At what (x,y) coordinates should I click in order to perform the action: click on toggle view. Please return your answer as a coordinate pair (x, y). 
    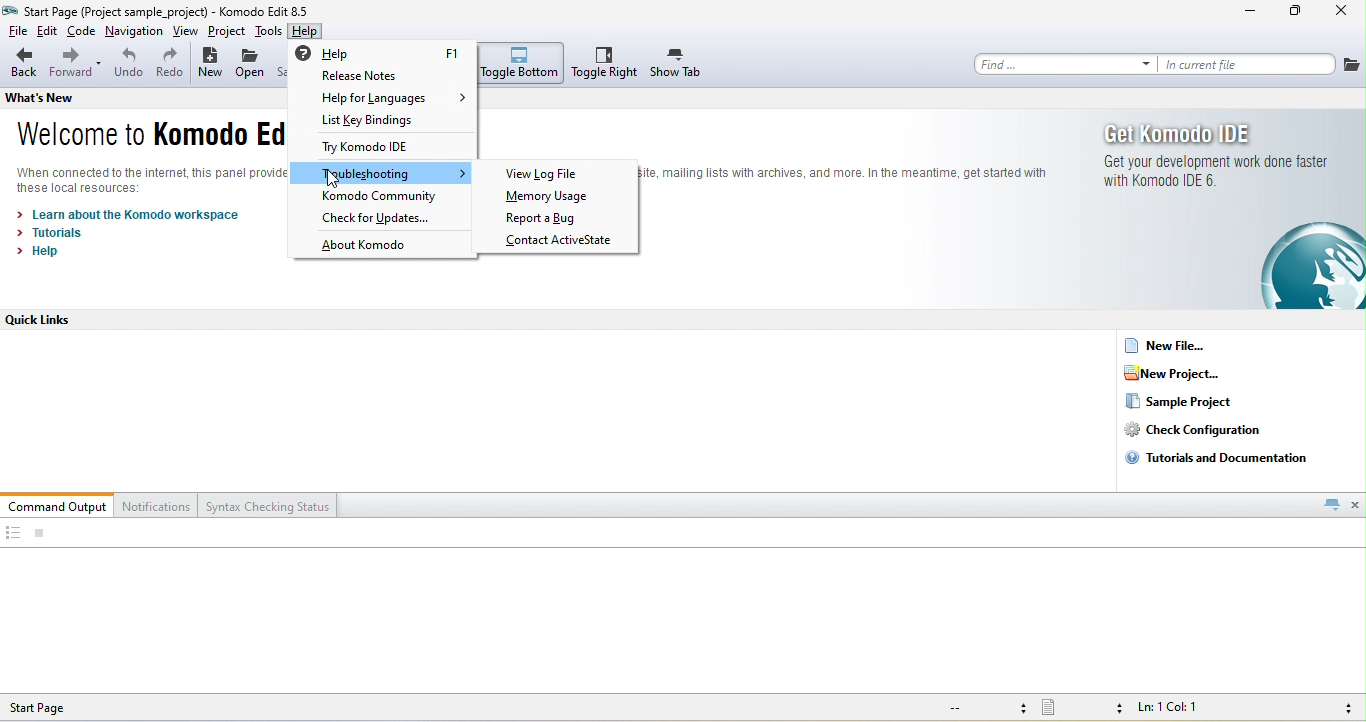
    Looking at the image, I should click on (12, 534).